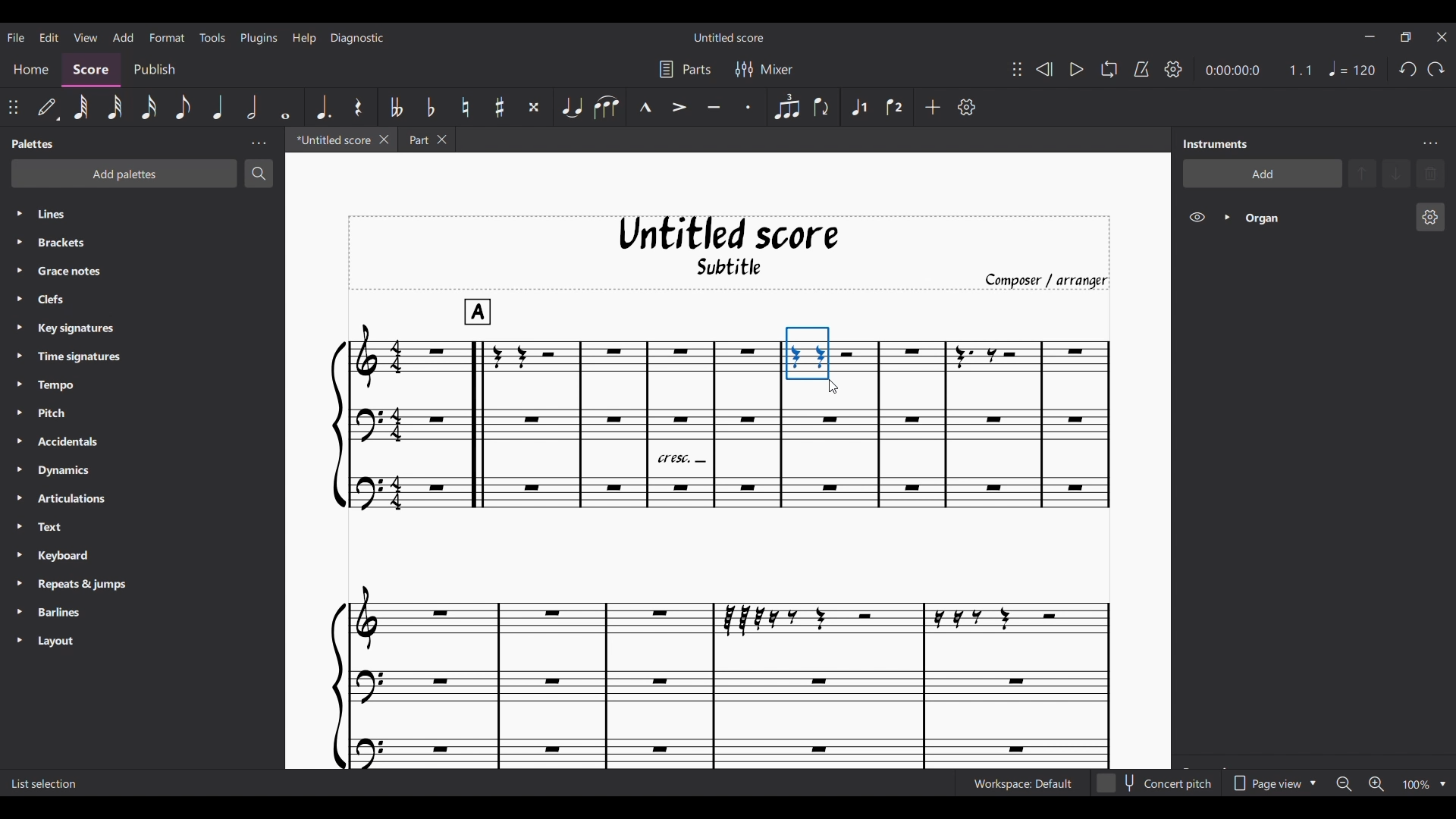 This screenshot has width=1456, height=819. I want to click on Tuplet, so click(787, 108).